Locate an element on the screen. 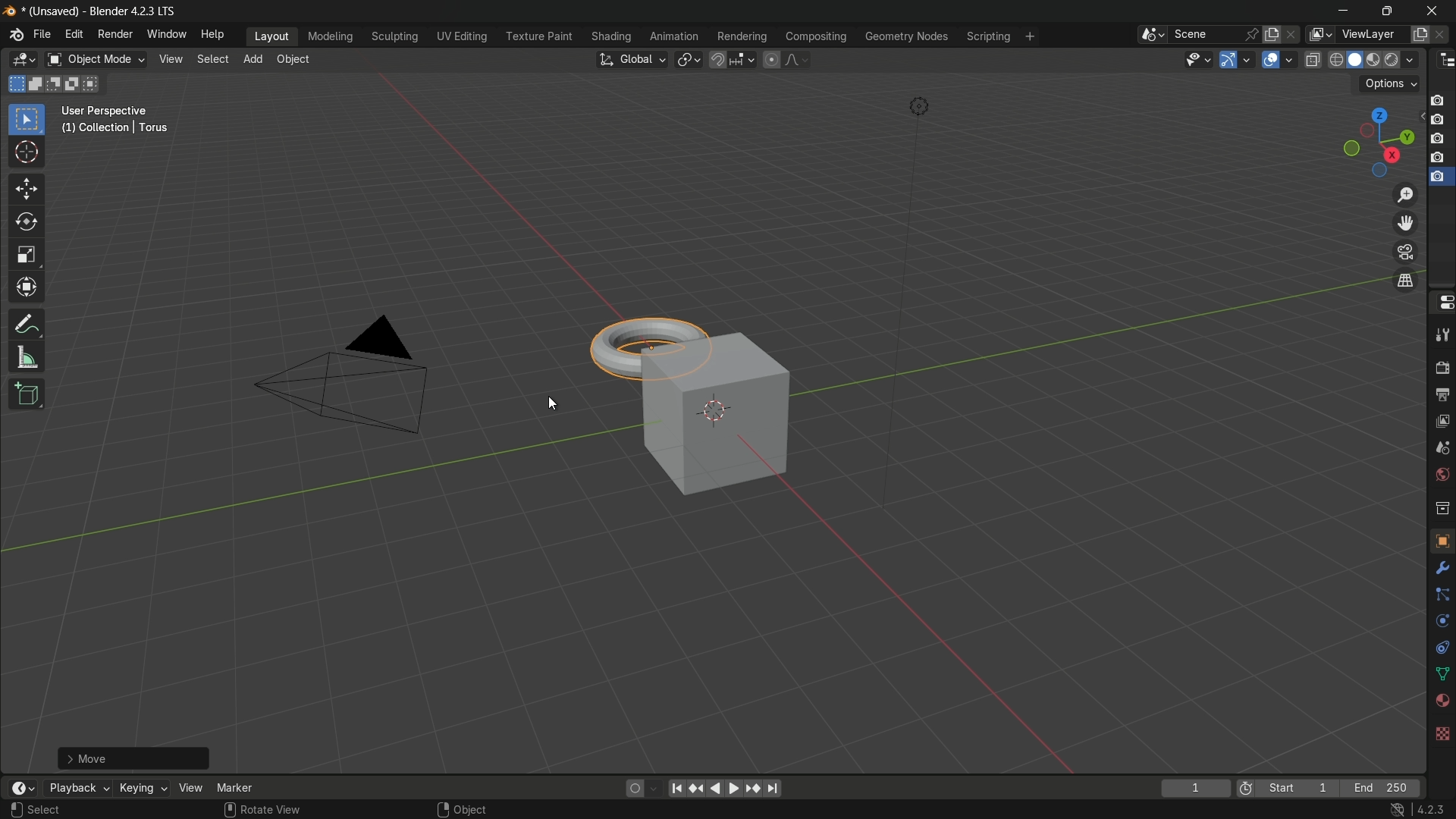 The width and height of the screenshot is (1456, 819). render is located at coordinates (1442, 364).